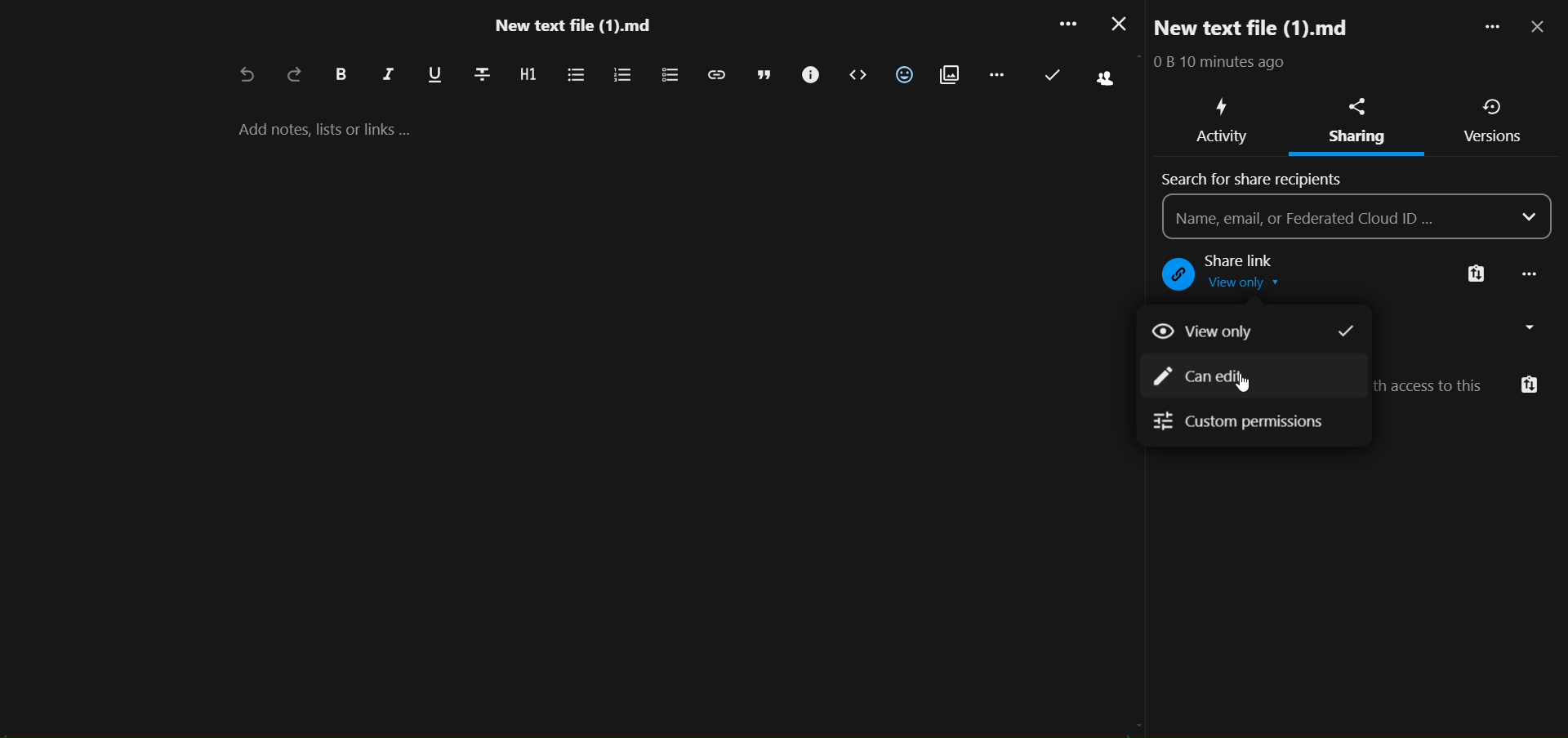 Image resolution: width=1568 pixels, height=738 pixels. What do you see at coordinates (1270, 27) in the screenshot?
I see `new text file` at bounding box center [1270, 27].